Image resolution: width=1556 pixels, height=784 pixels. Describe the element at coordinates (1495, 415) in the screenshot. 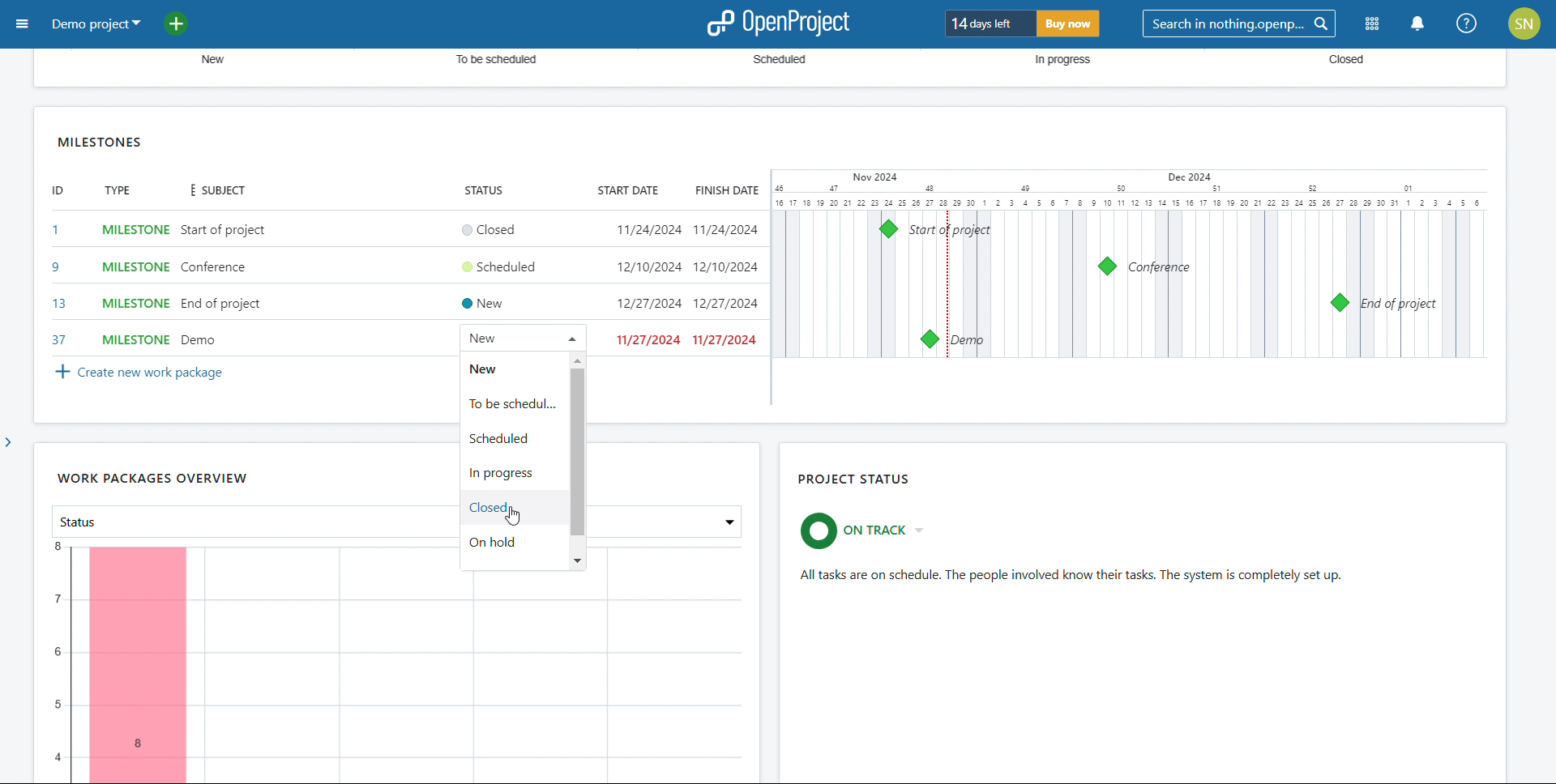

I see `resize` at that location.